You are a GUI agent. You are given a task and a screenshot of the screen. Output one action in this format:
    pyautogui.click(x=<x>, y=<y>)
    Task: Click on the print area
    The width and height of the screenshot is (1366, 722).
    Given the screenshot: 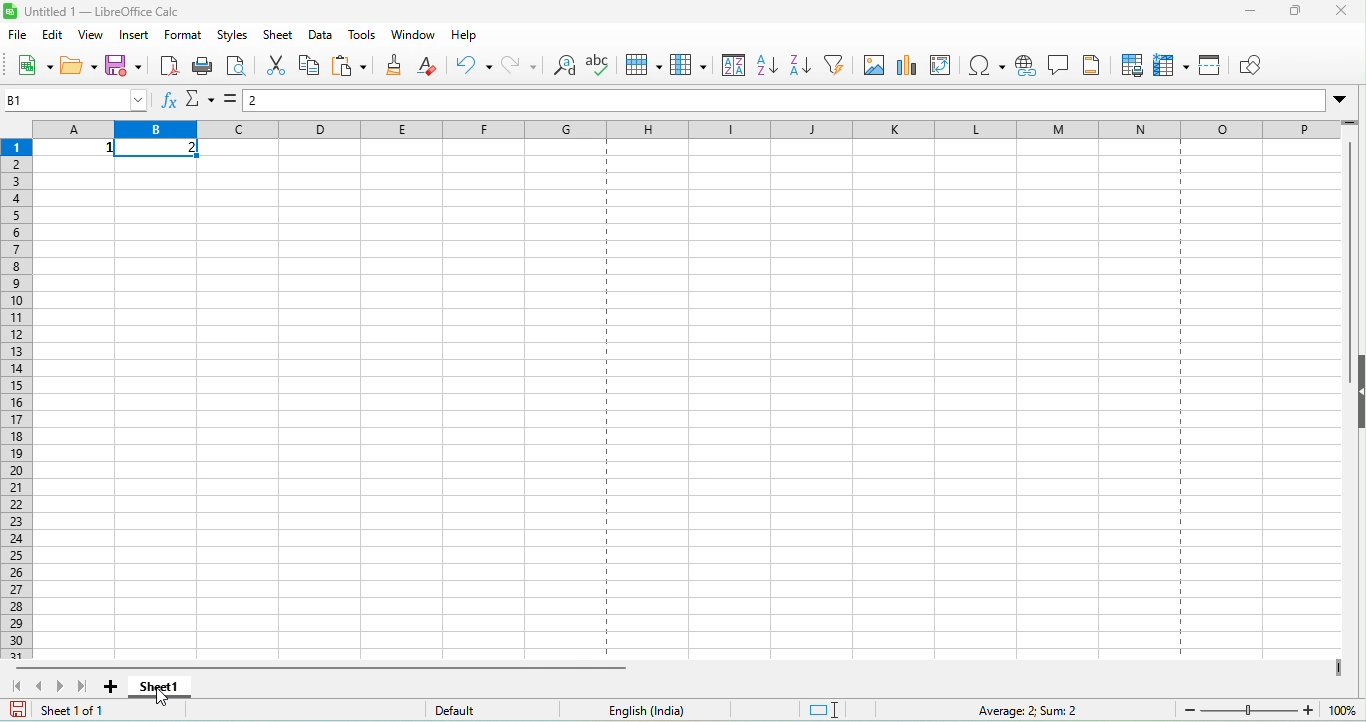 What is the action you would take?
    pyautogui.click(x=1130, y=66)
    